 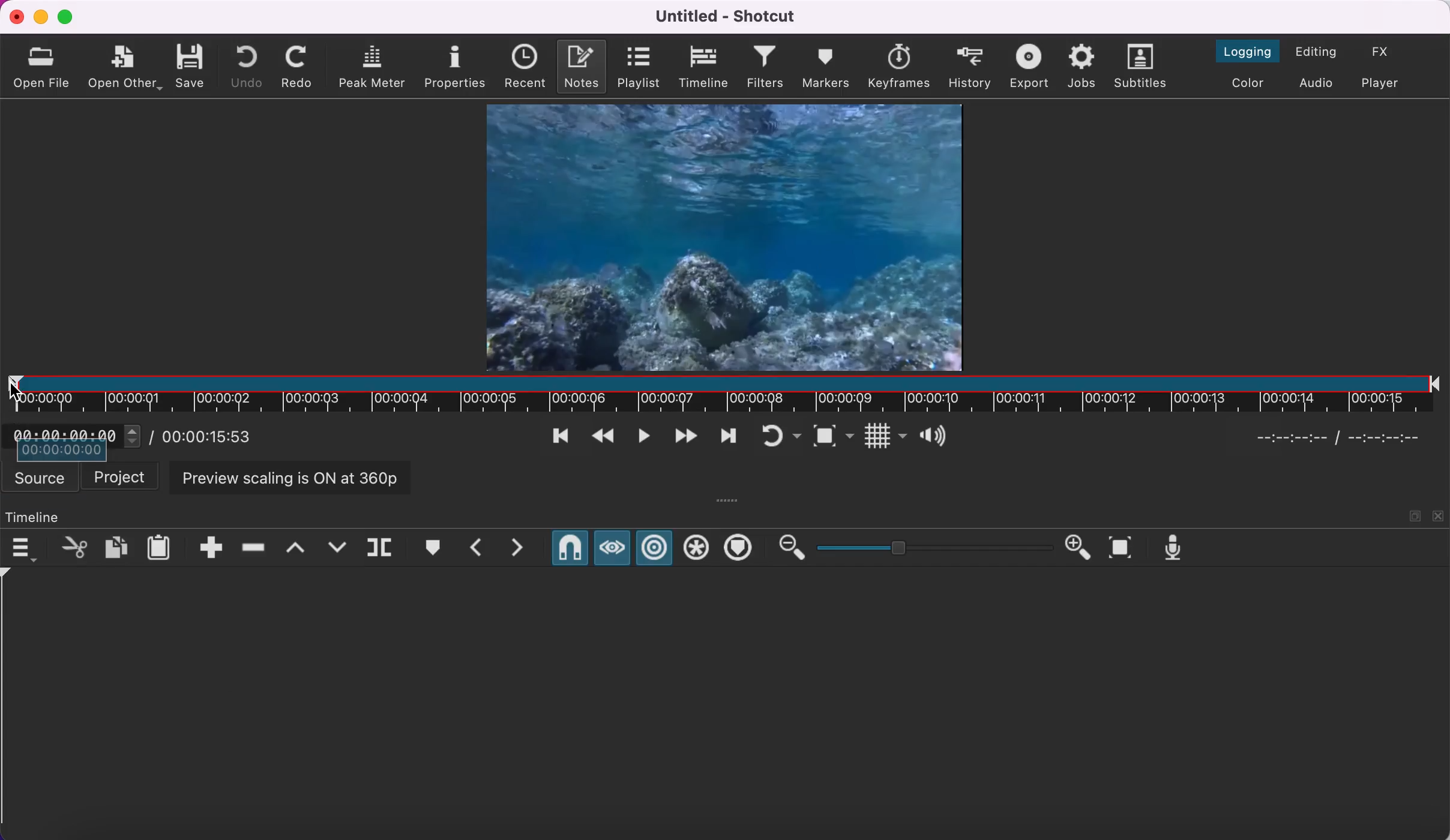 What do you see at coordinates (1384, 53) in the screenshot?
I see `switch to the effects layout` at bounding box center [1384, 53].